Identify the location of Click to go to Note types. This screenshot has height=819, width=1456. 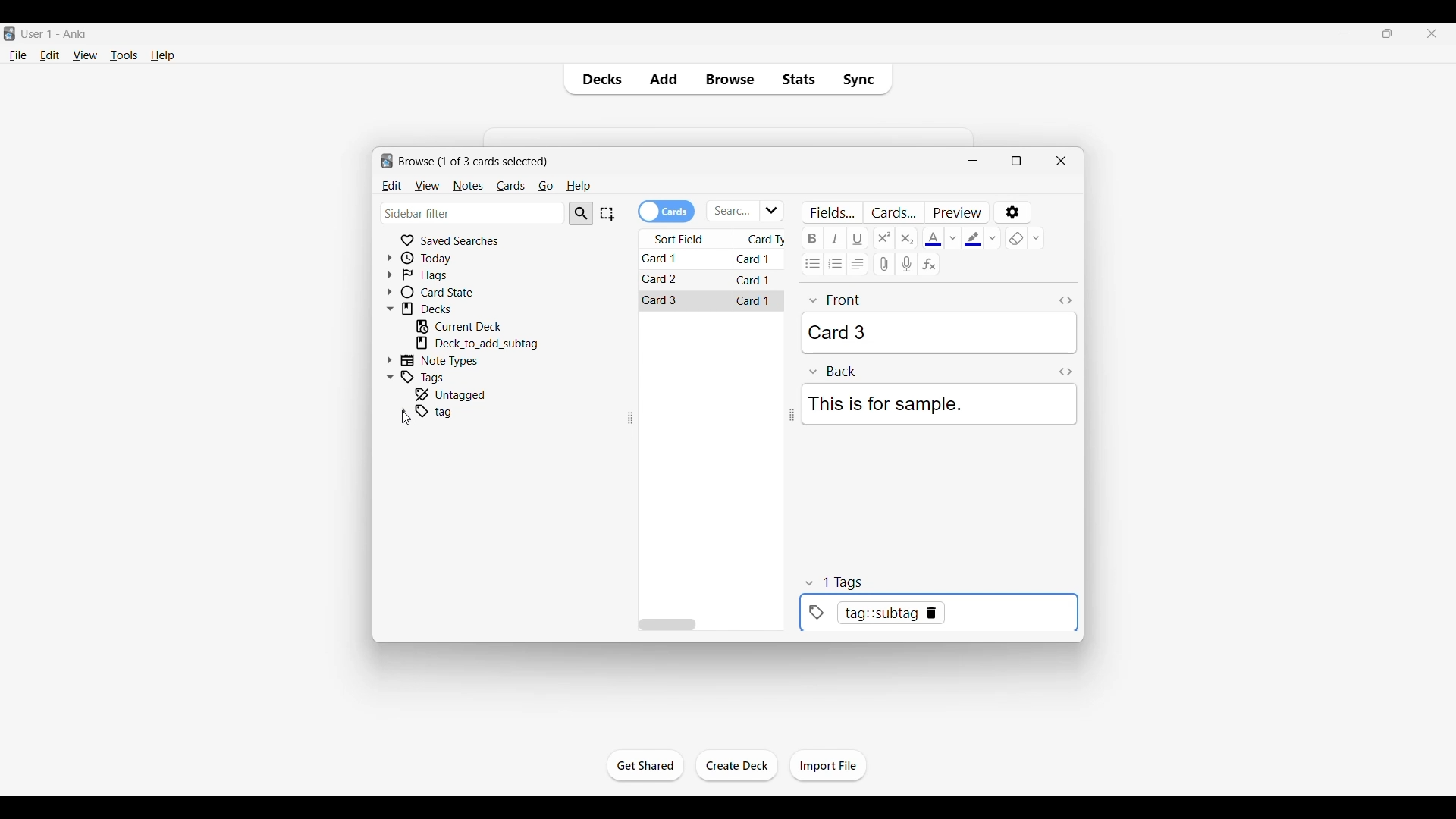
(447, 360).